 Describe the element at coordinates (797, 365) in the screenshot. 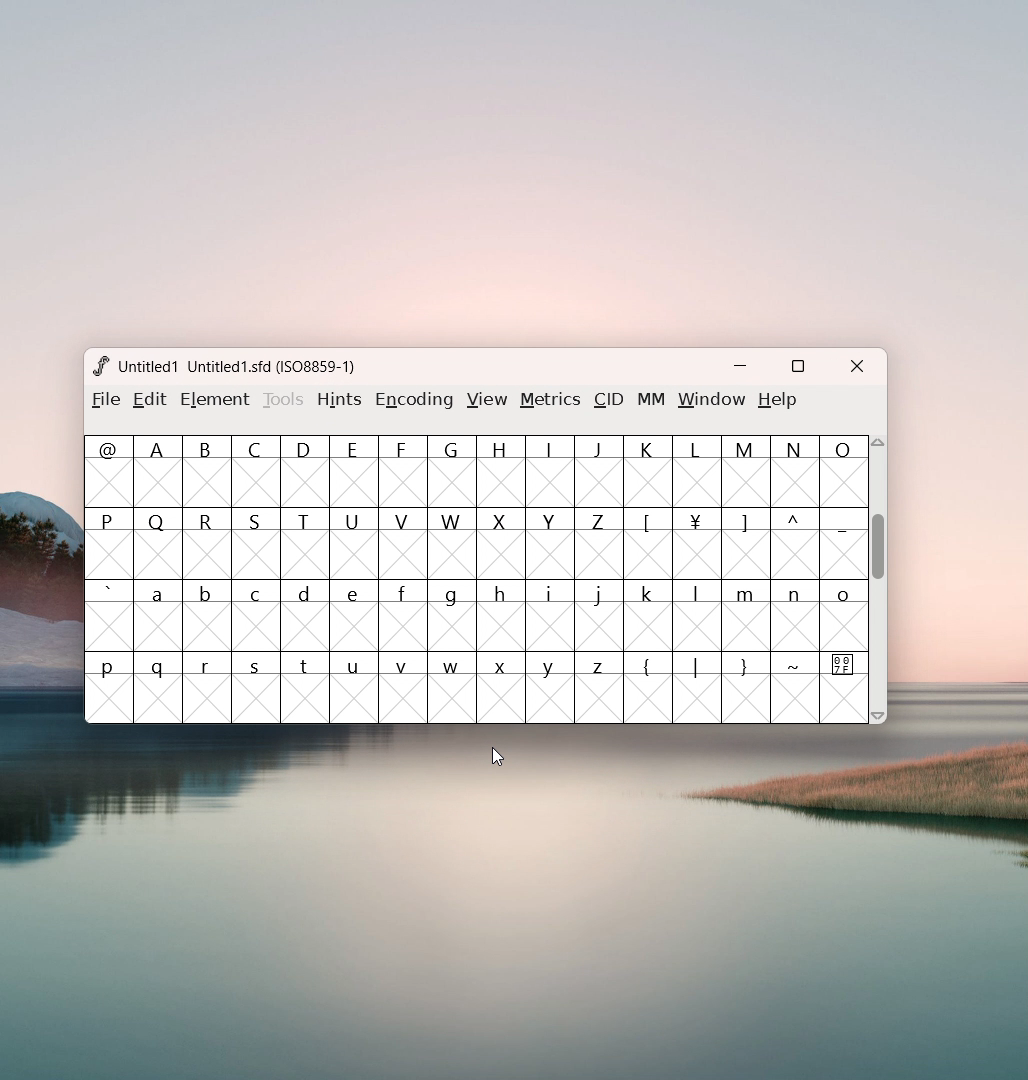

I see `maximize` at that location.